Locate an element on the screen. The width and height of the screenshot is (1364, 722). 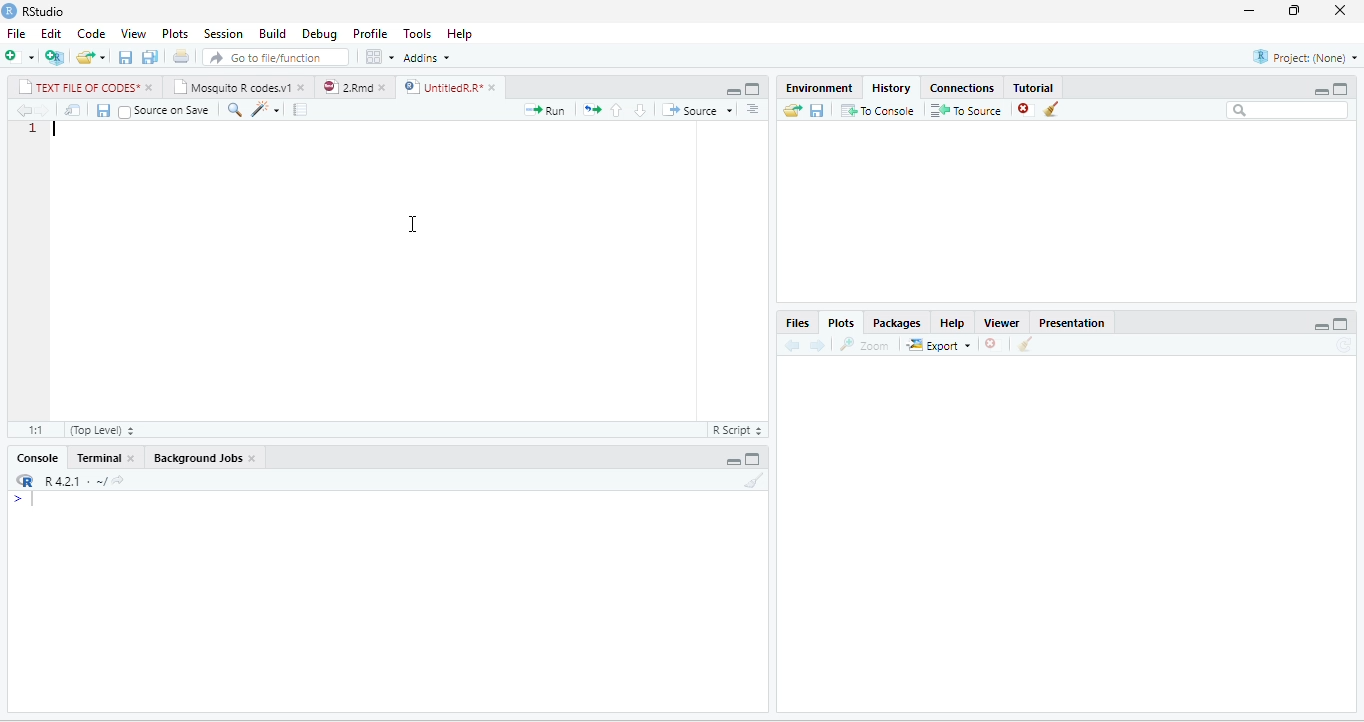
RStudio is located at coordinates (46, 12).